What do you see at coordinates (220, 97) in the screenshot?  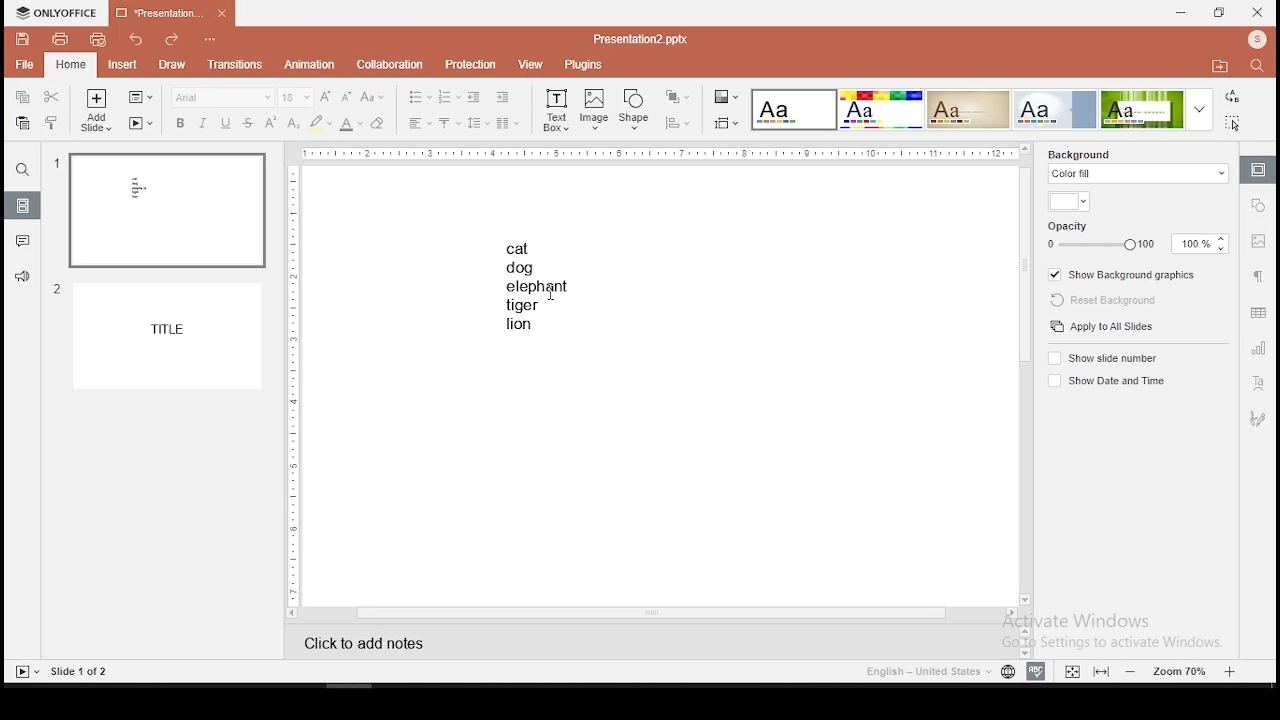 I see `font` at bounding box center [220, 97].